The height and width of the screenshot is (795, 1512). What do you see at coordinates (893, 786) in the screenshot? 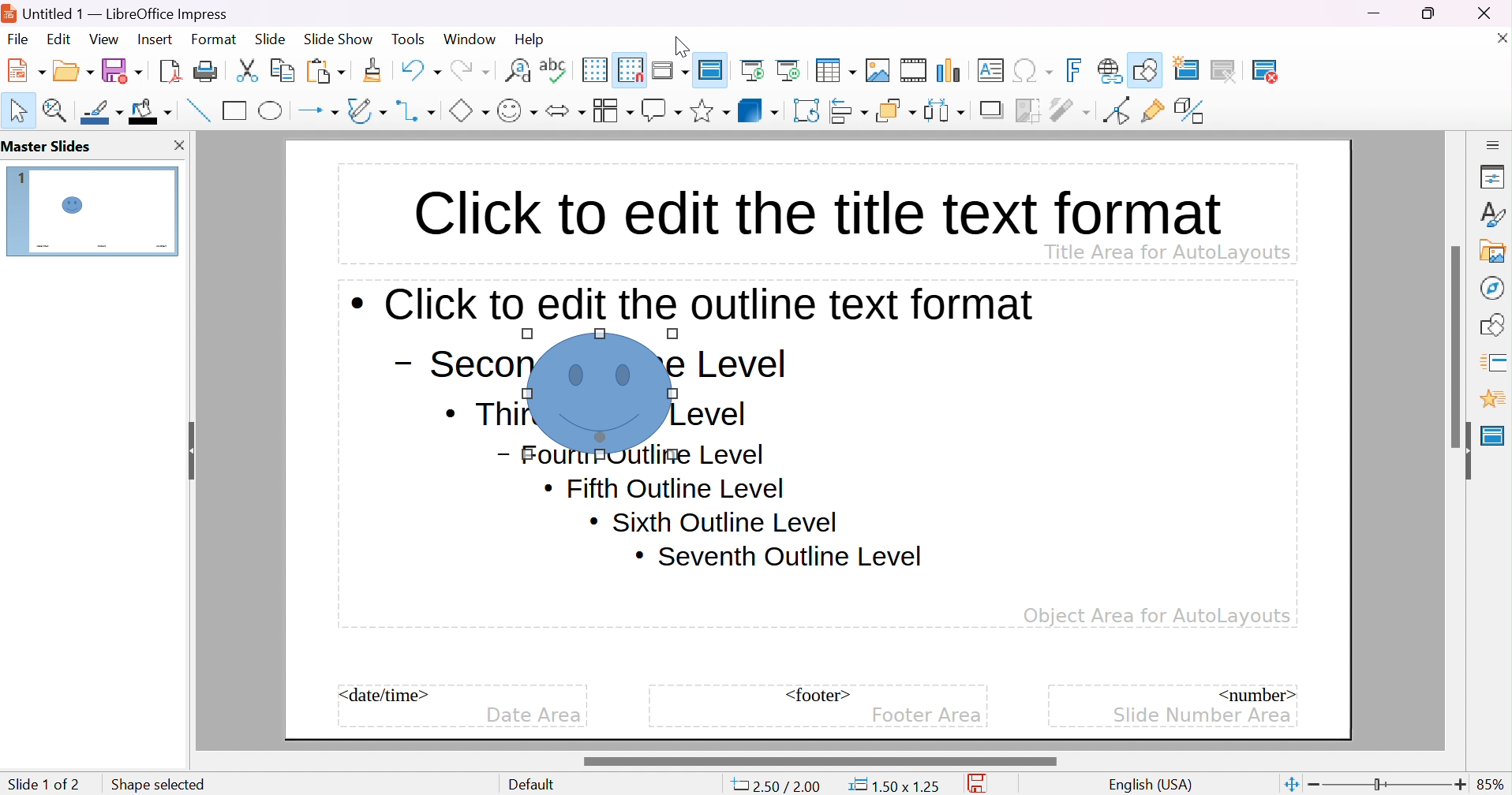
I see `0.00*0.00` at bounding box center [893, 786].